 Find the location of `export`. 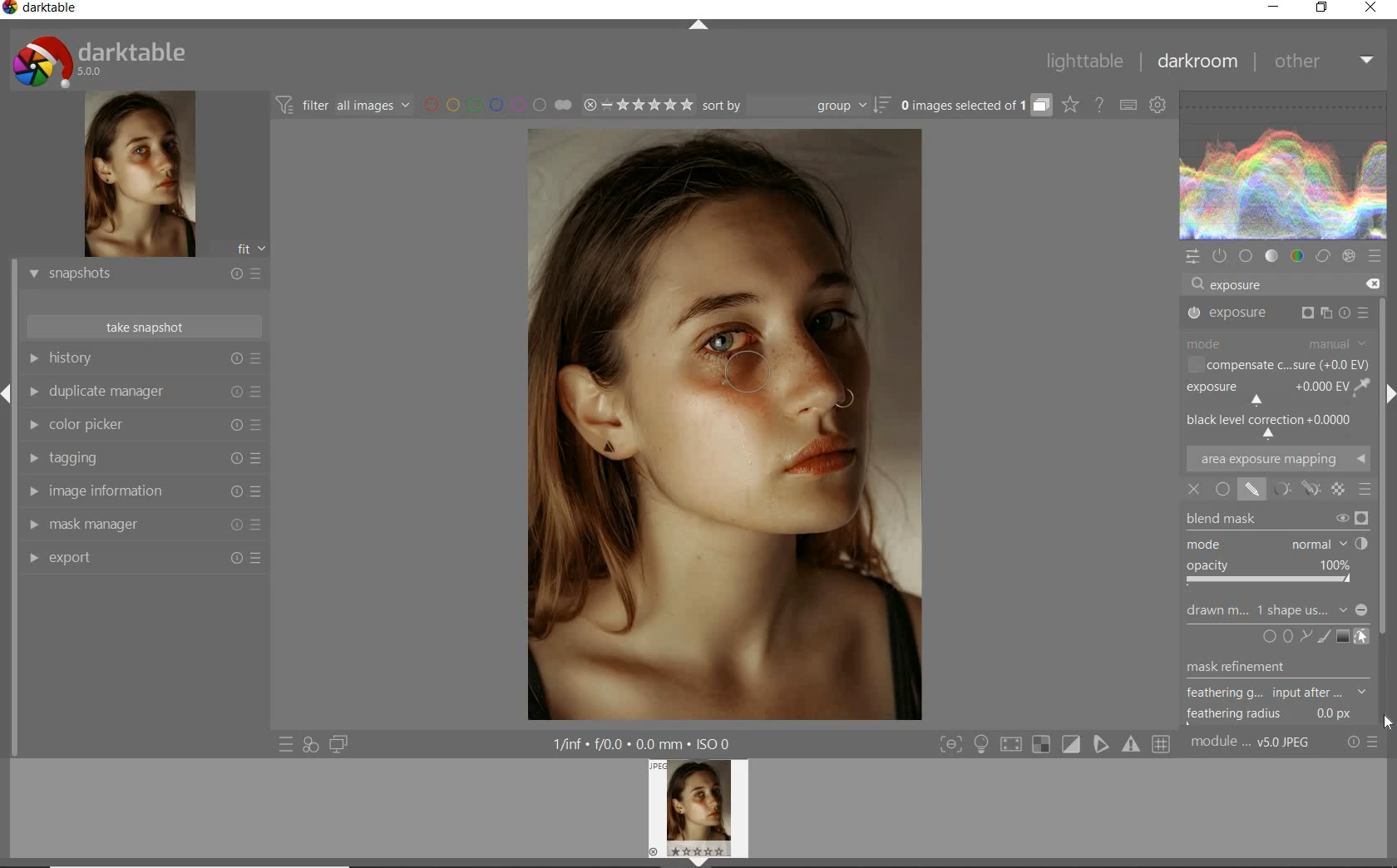

export is located at coordinates (142, 561).